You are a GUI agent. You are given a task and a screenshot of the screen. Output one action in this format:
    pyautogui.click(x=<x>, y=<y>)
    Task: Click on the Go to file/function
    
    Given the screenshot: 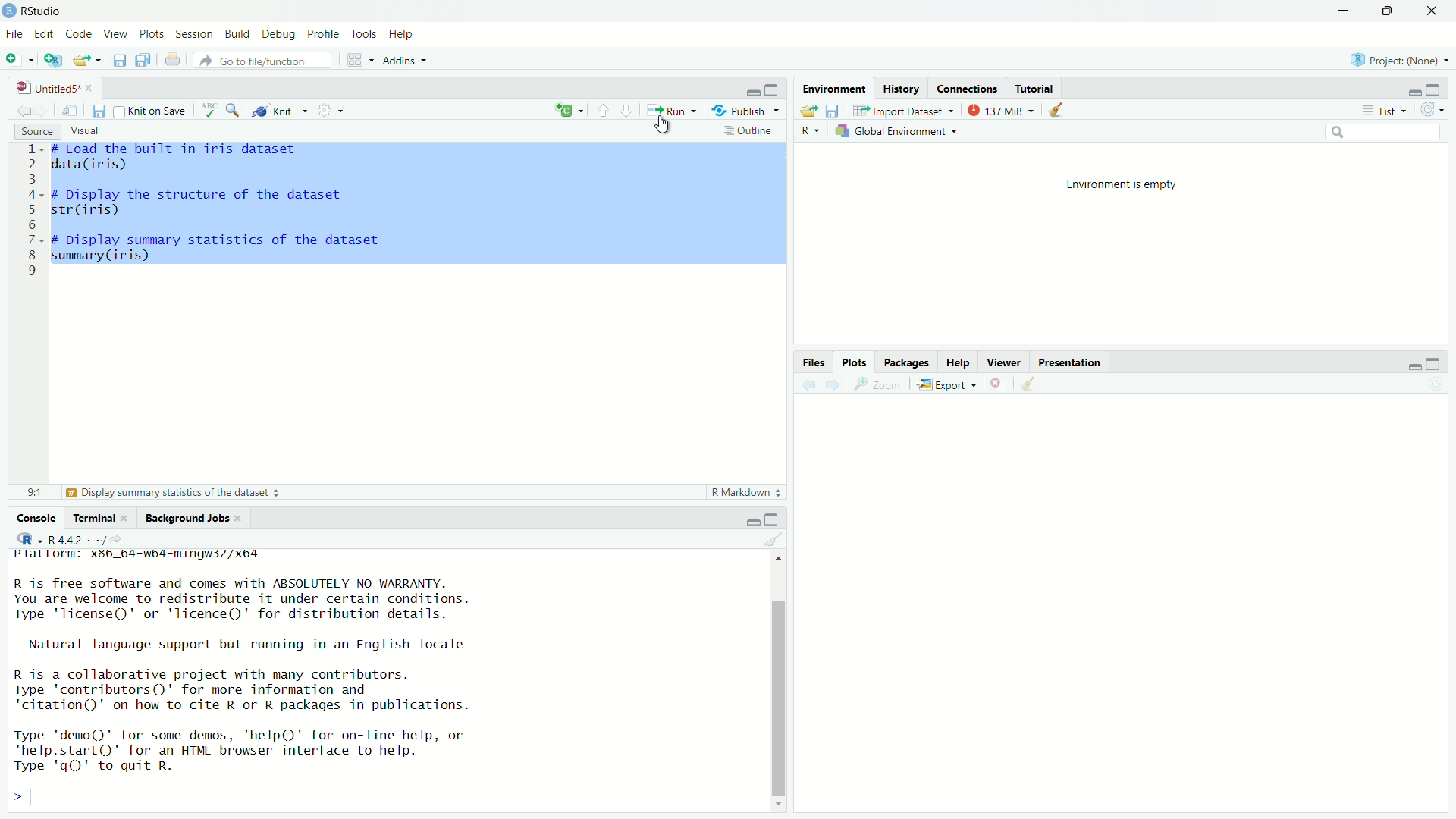 What is the action you would take?
    pyautogui.click(x=261, y=61)
    